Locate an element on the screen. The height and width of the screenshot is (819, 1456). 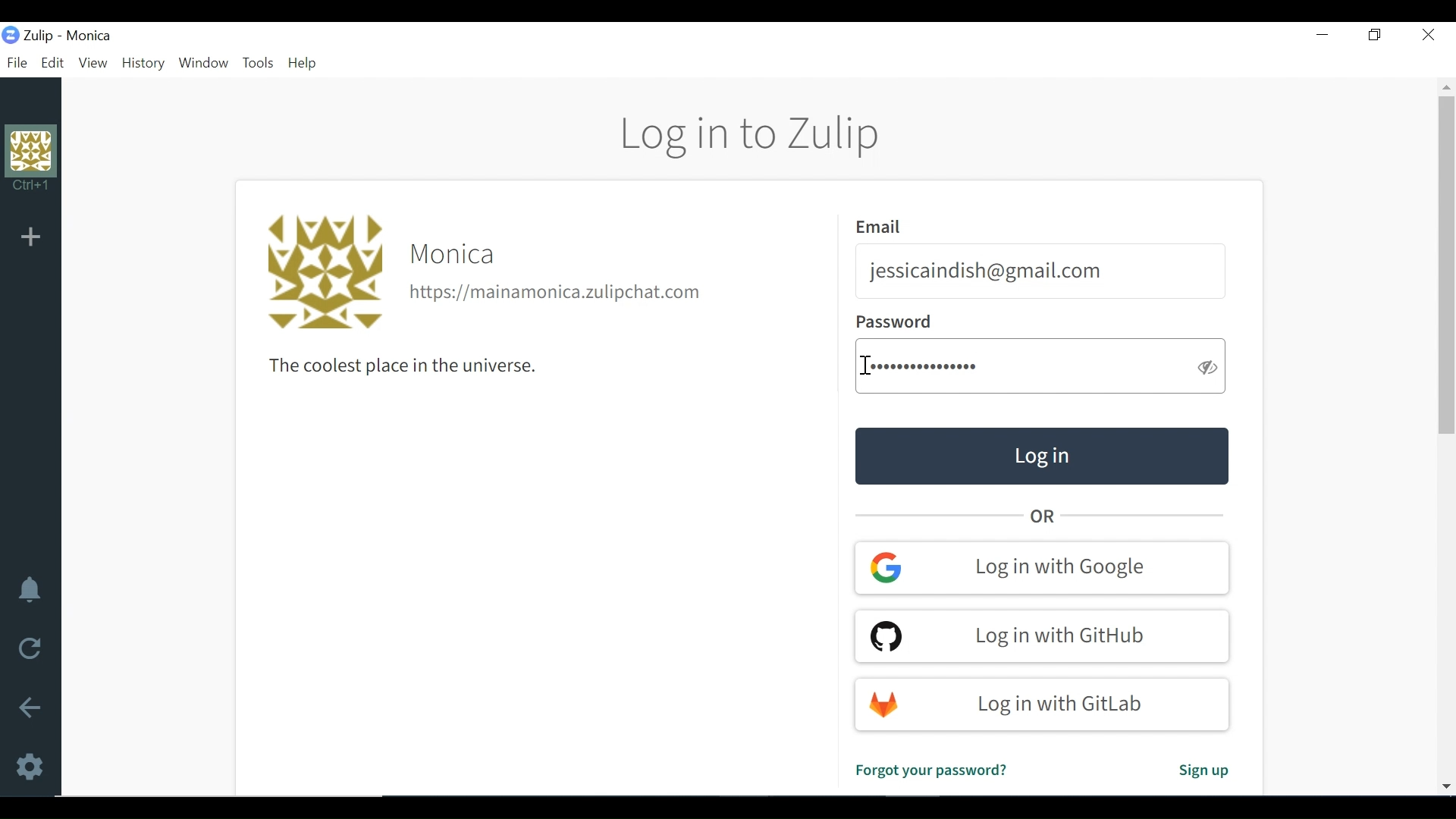
Log in with GitHub is located at coordinates (1041, 635).